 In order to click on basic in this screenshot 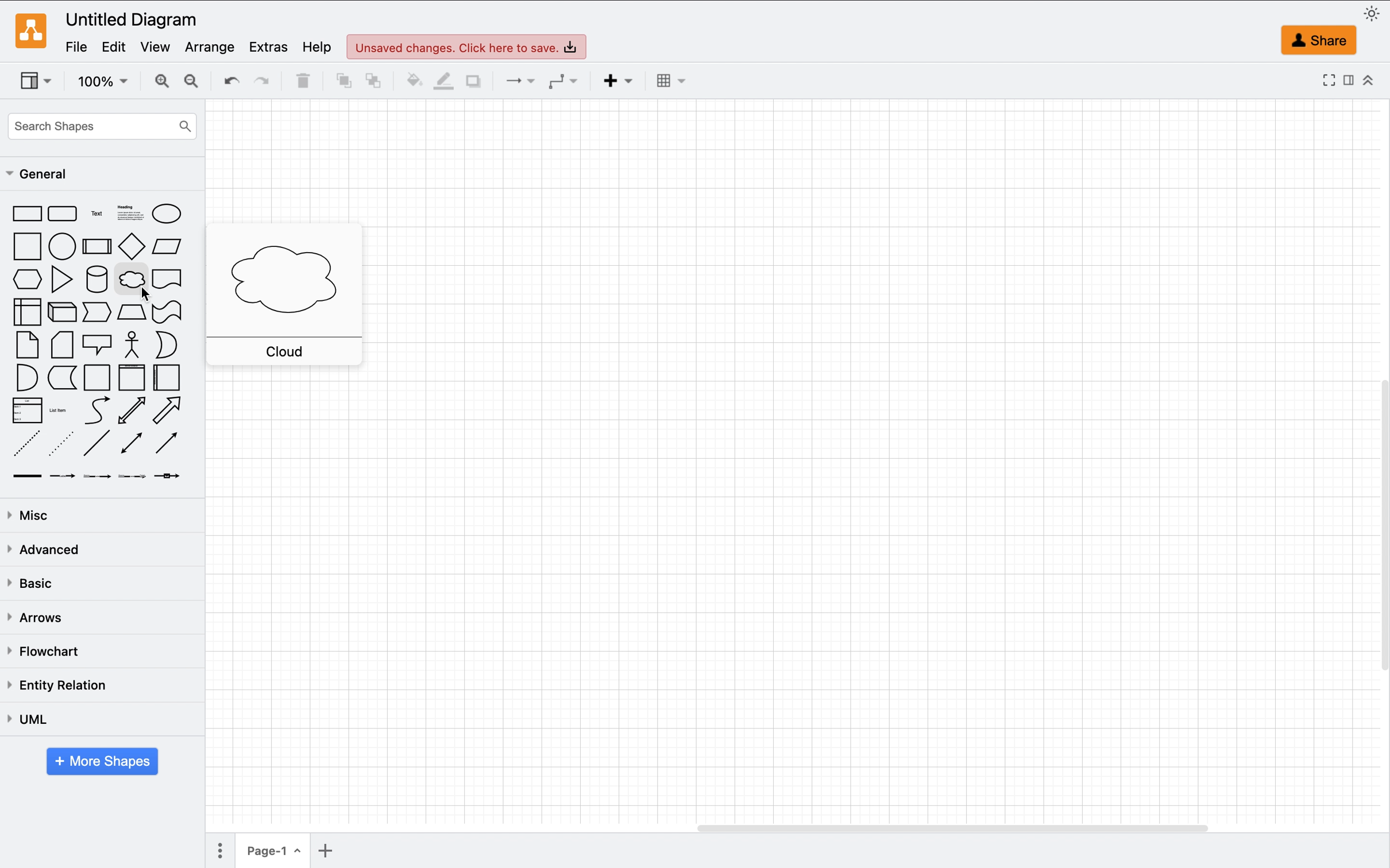, I will do `click(37, 583)`.